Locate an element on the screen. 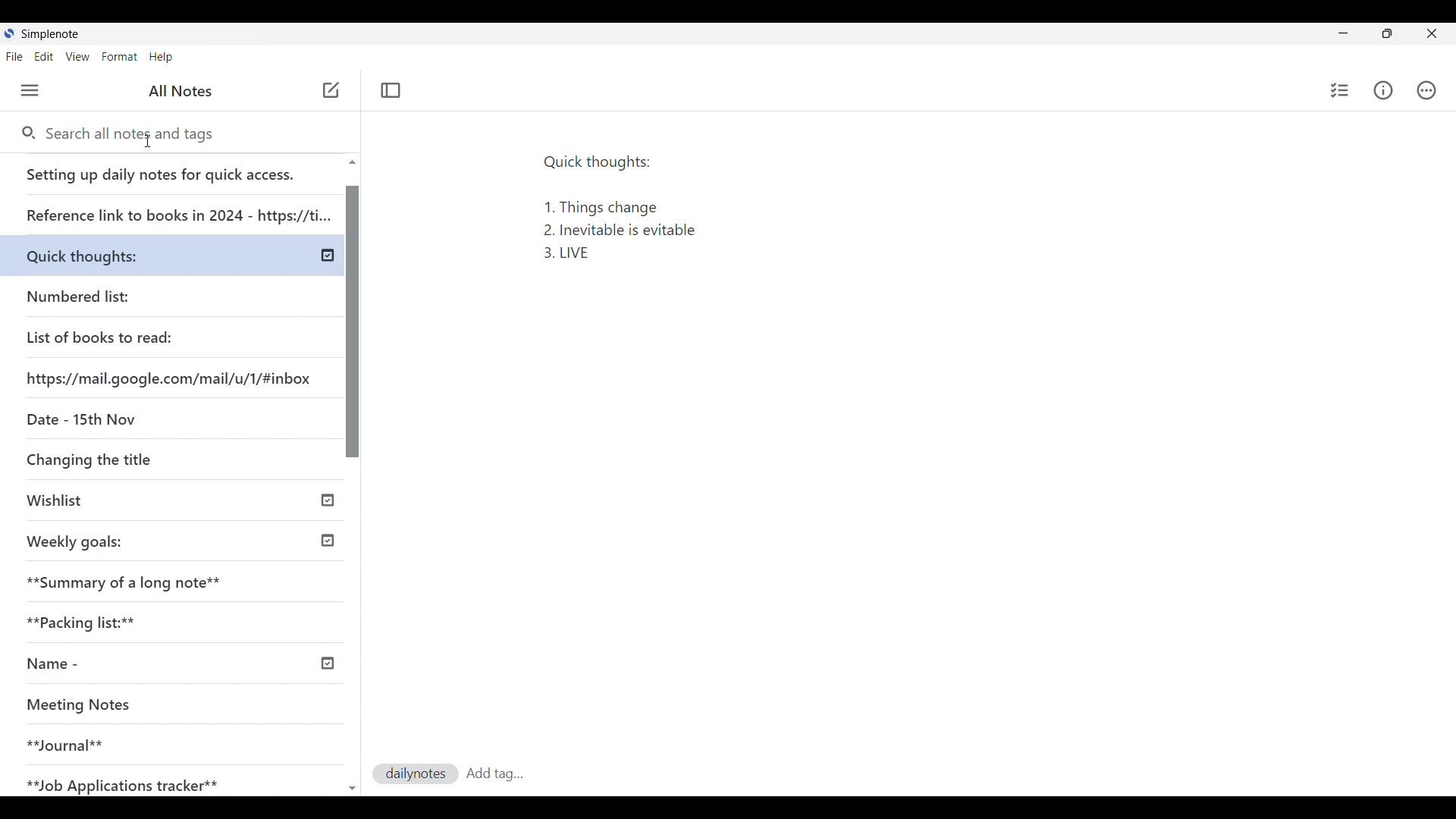 This screenshot has width=1456, height=819. Setting up daily notes for quick access is located at coordinates (174, 170).